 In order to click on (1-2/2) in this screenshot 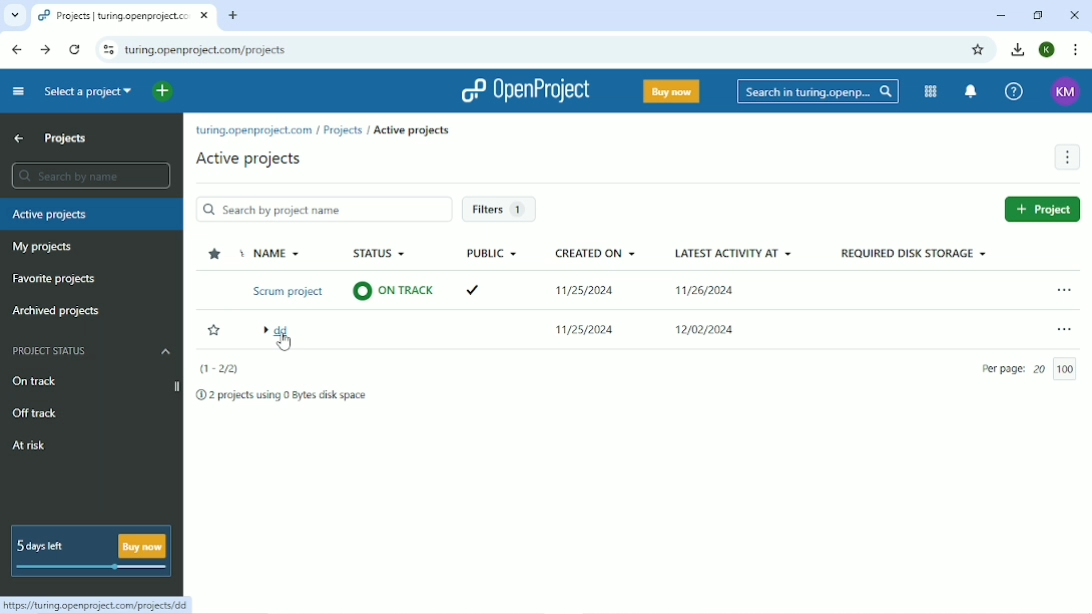, I will do `click(217, 369)`.